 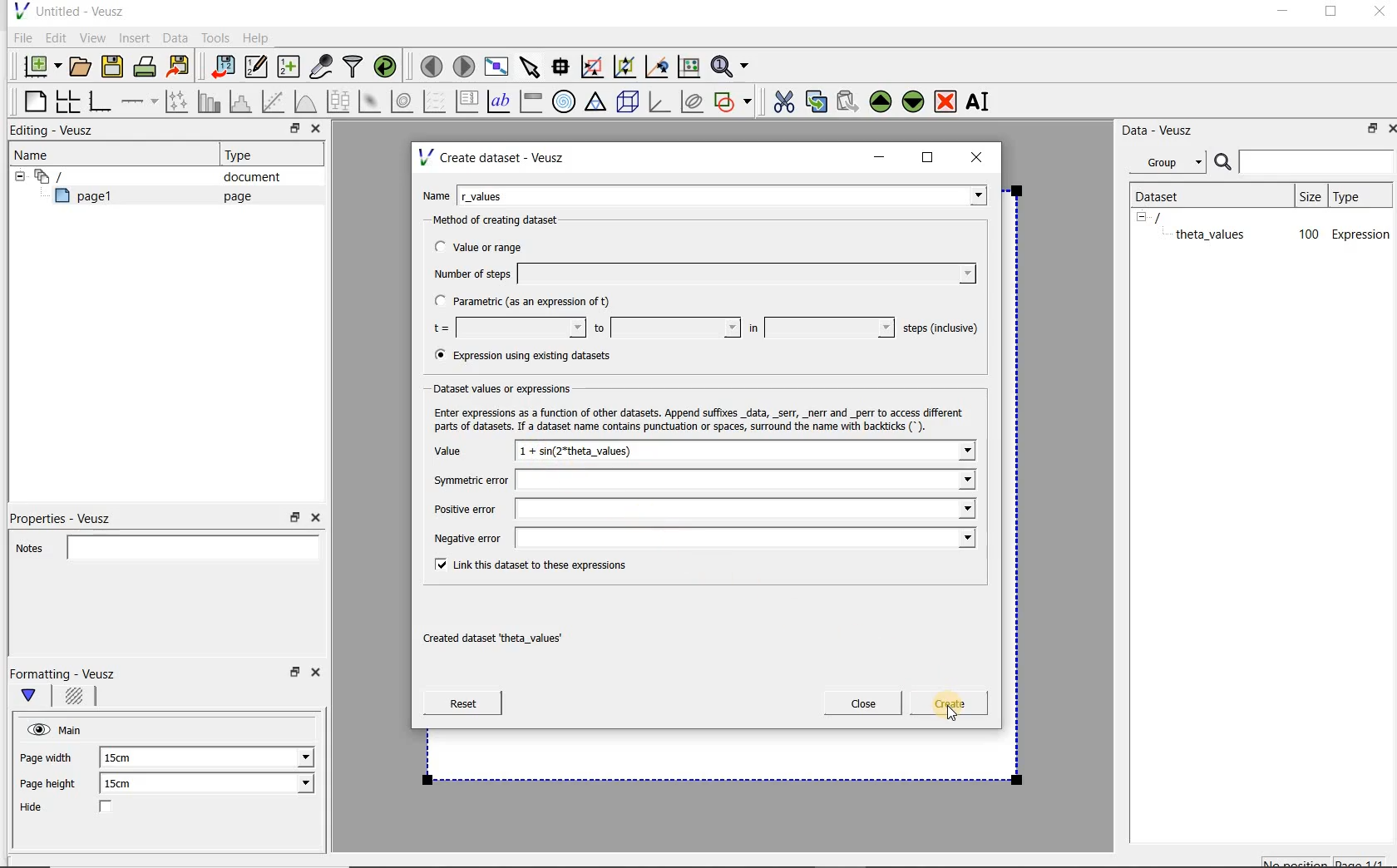 I want to click on Data, so click(x=176, y=37).